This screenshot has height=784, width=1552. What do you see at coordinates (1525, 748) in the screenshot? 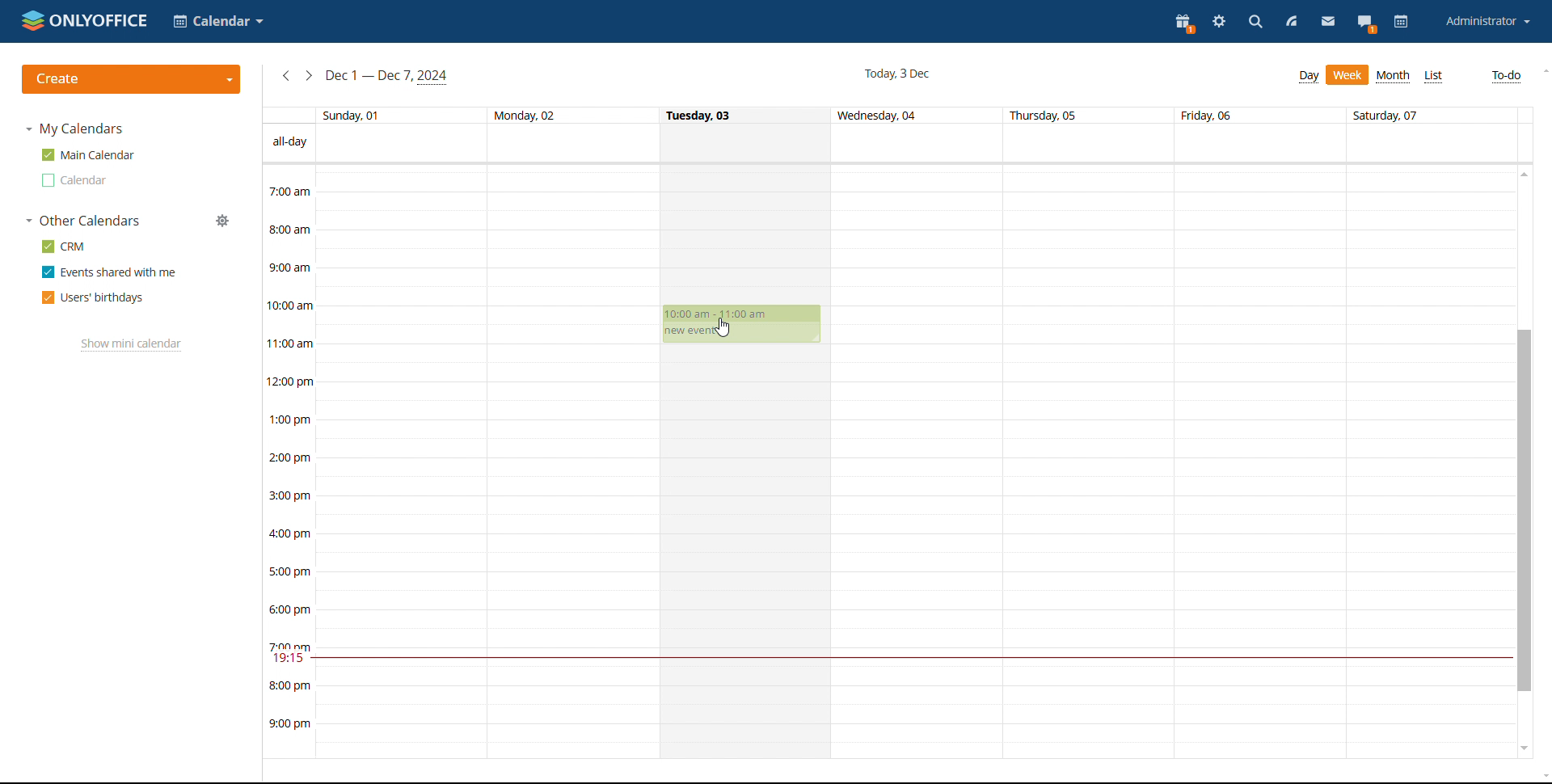
I see `scroll down` at bounding box center [1525, 748].